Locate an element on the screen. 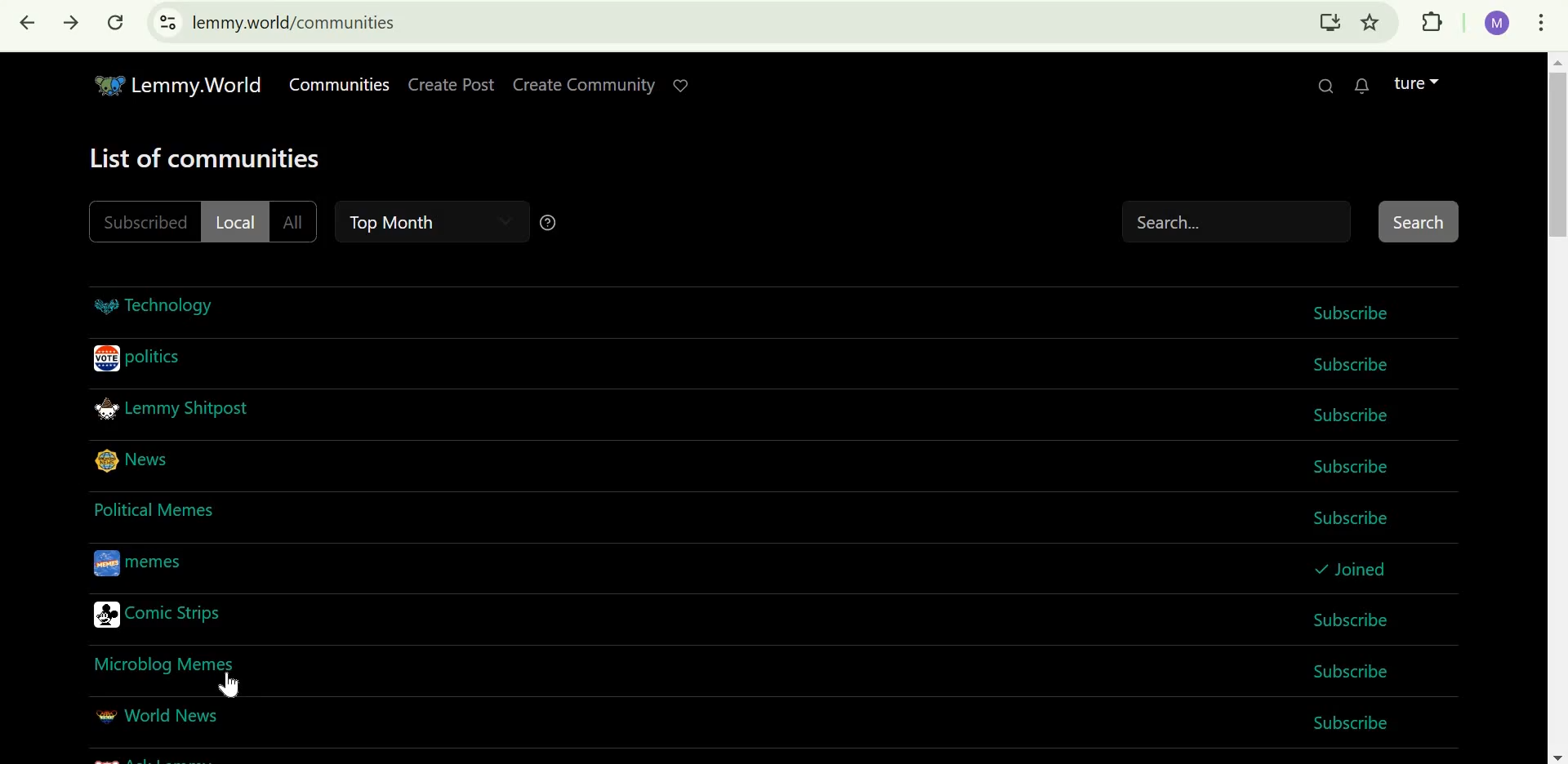 The width and height of the screenshot is (1568, 764). lemmy.world/communities is located at coordinates (301, 24).